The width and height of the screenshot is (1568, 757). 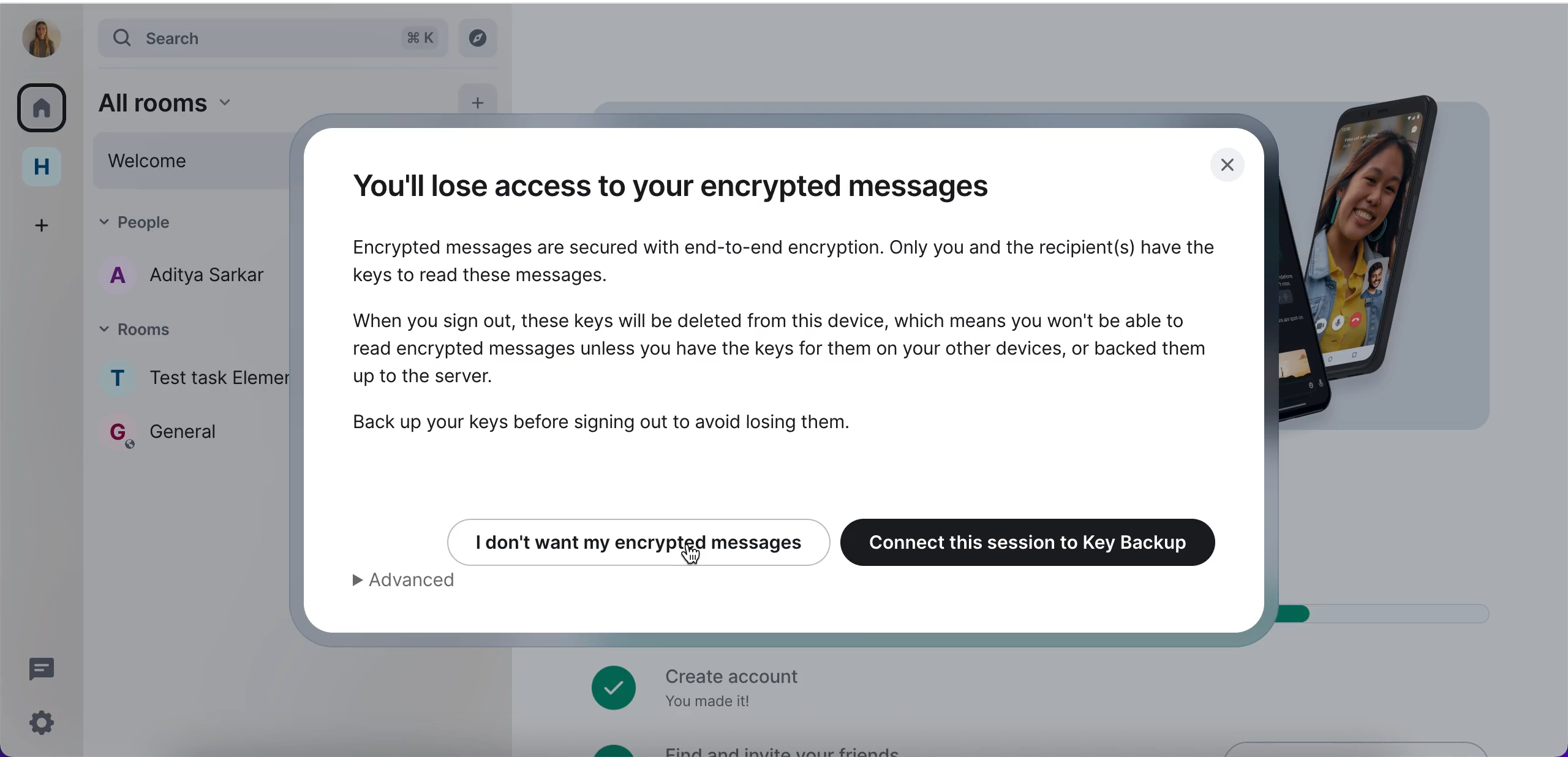 I want to click on create a space, so click(x=48, y=220).